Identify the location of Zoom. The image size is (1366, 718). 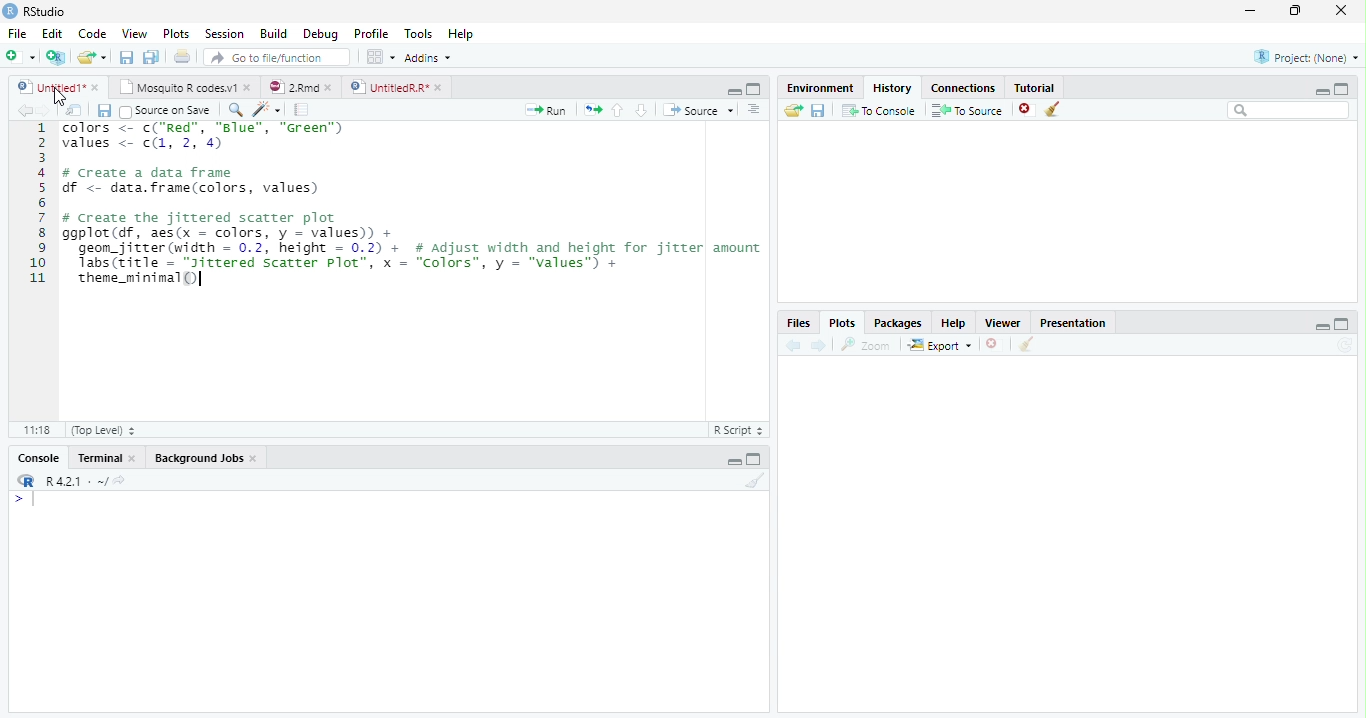
(866, 345).